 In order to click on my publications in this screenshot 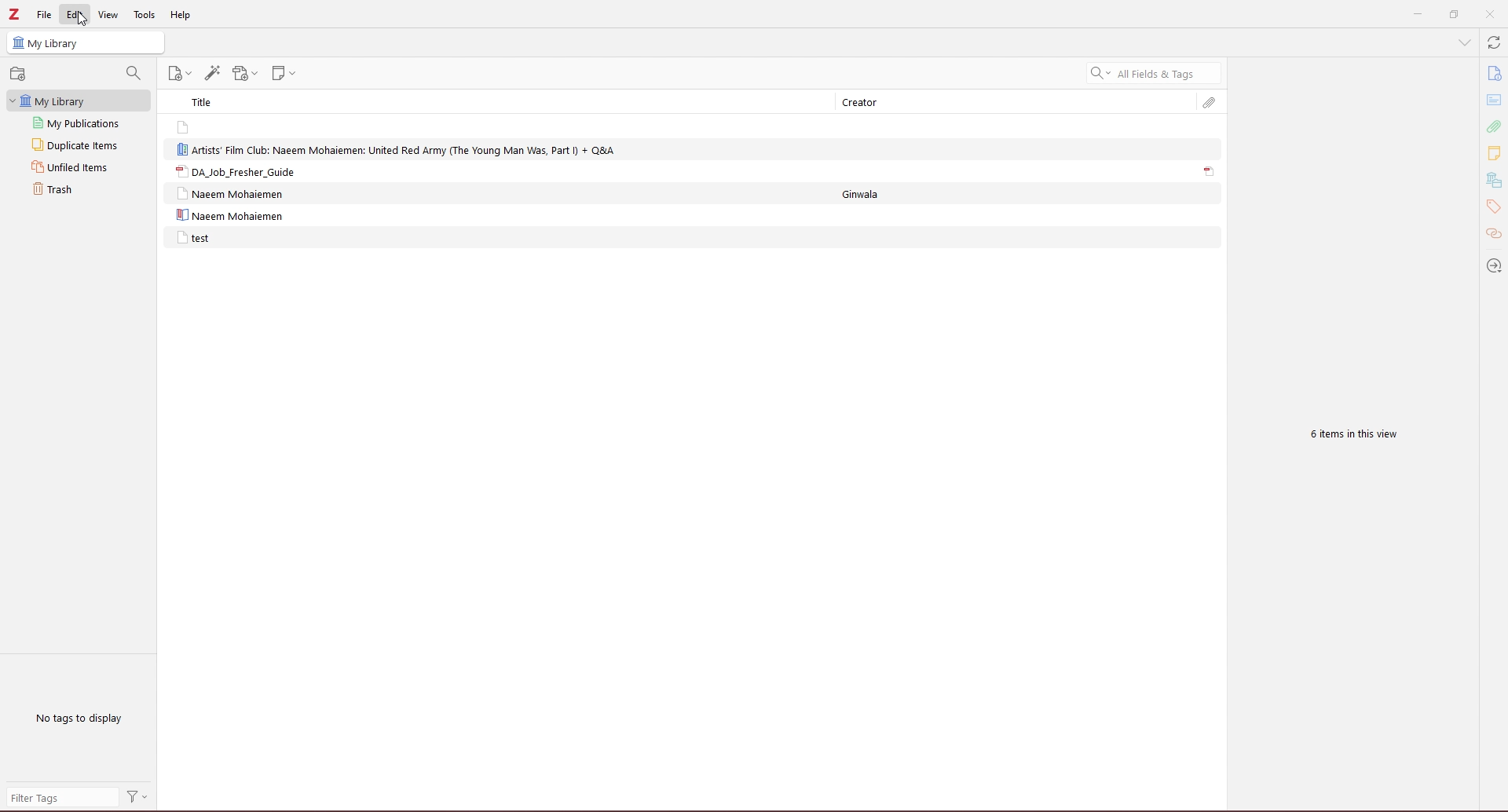, I will do `click(79, 122)`.